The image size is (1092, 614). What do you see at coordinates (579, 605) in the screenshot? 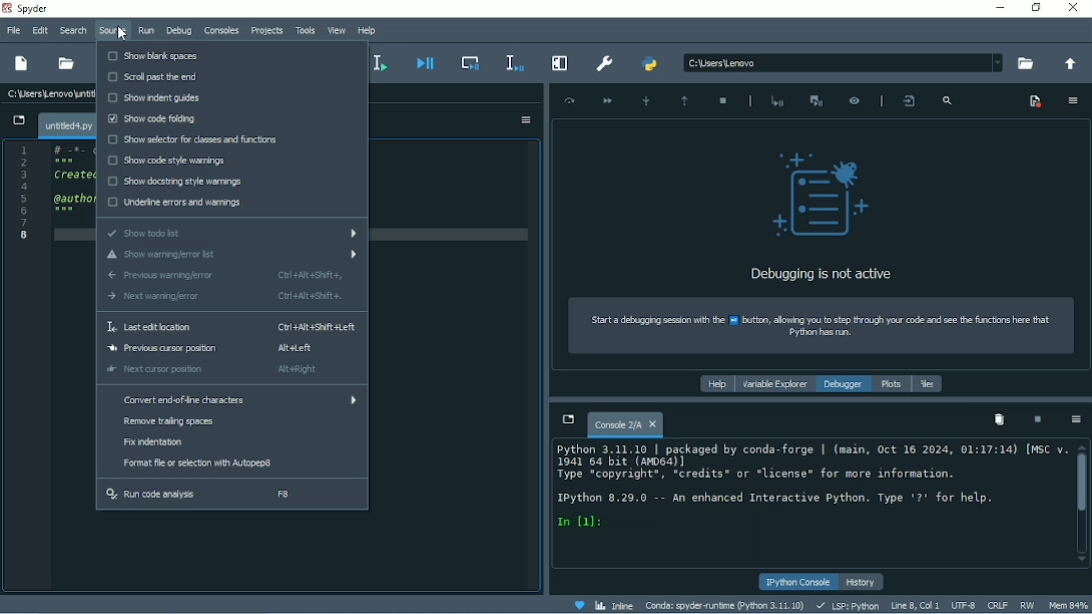
I see `Help Spyder` at bounding box center [579, 605].